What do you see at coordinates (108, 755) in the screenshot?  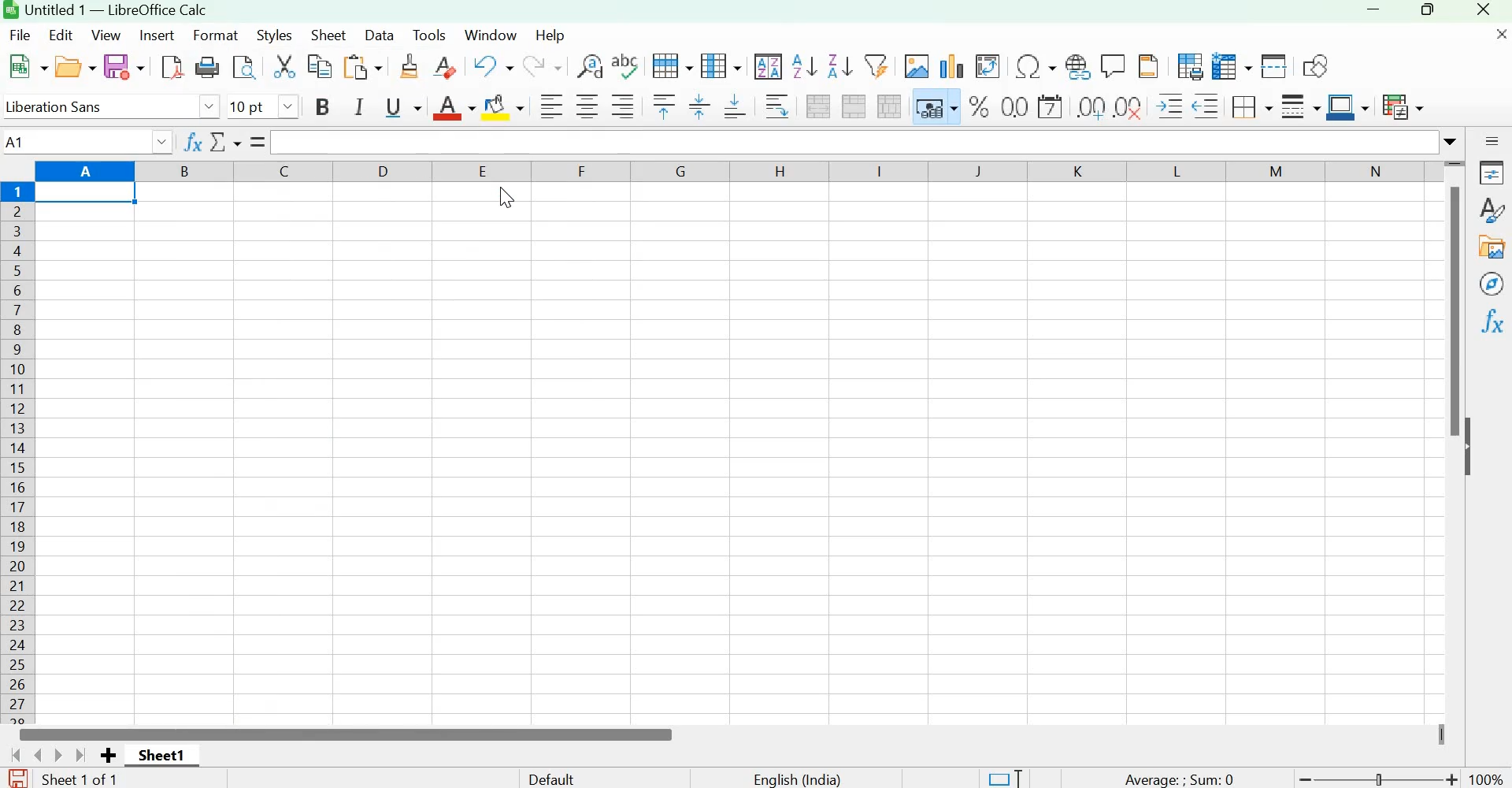 I see `Add new sheet` at bounding box center [108, 755].